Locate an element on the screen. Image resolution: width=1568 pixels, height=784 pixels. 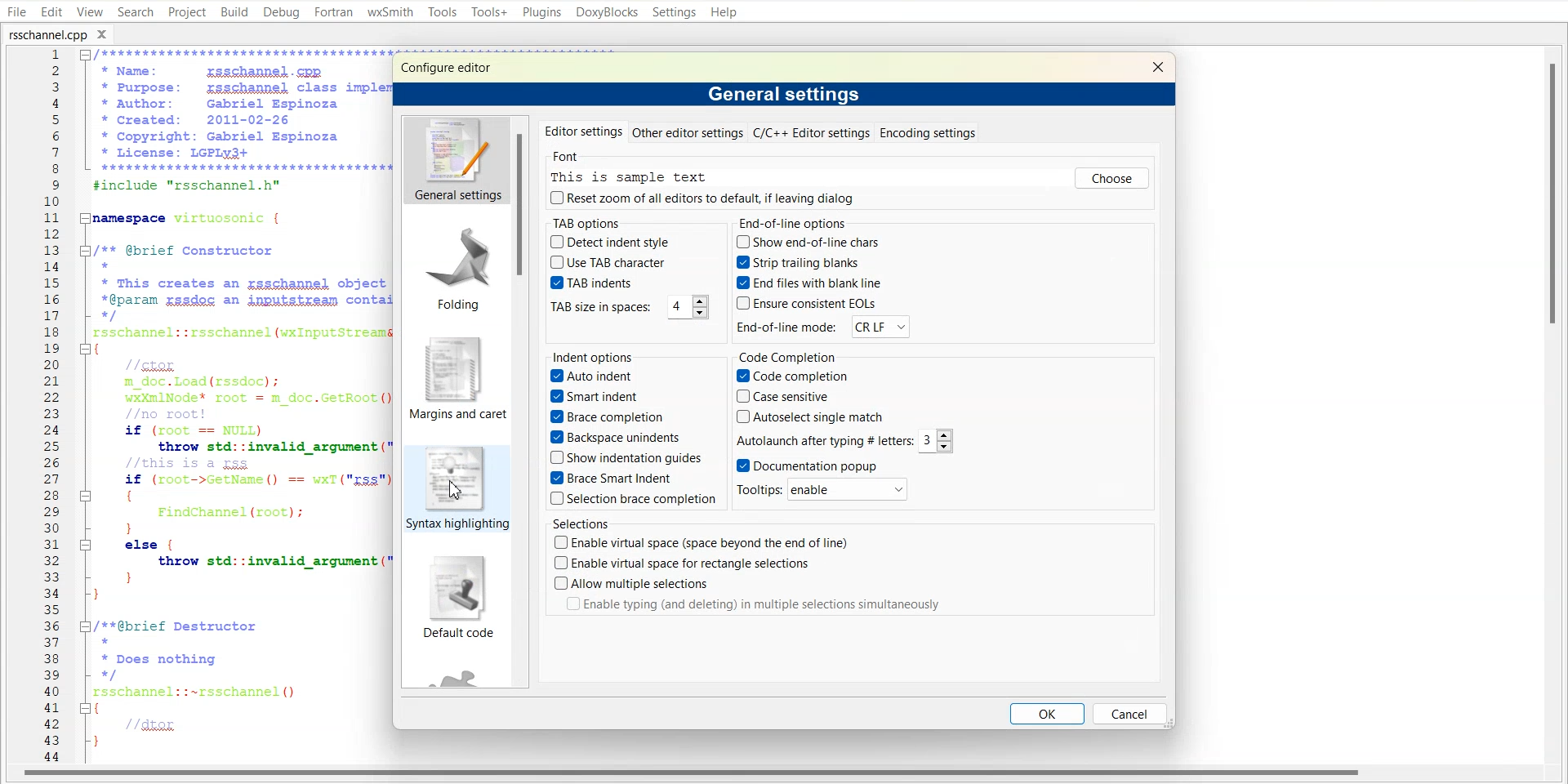
Tools is located at coordinates (442, 11).